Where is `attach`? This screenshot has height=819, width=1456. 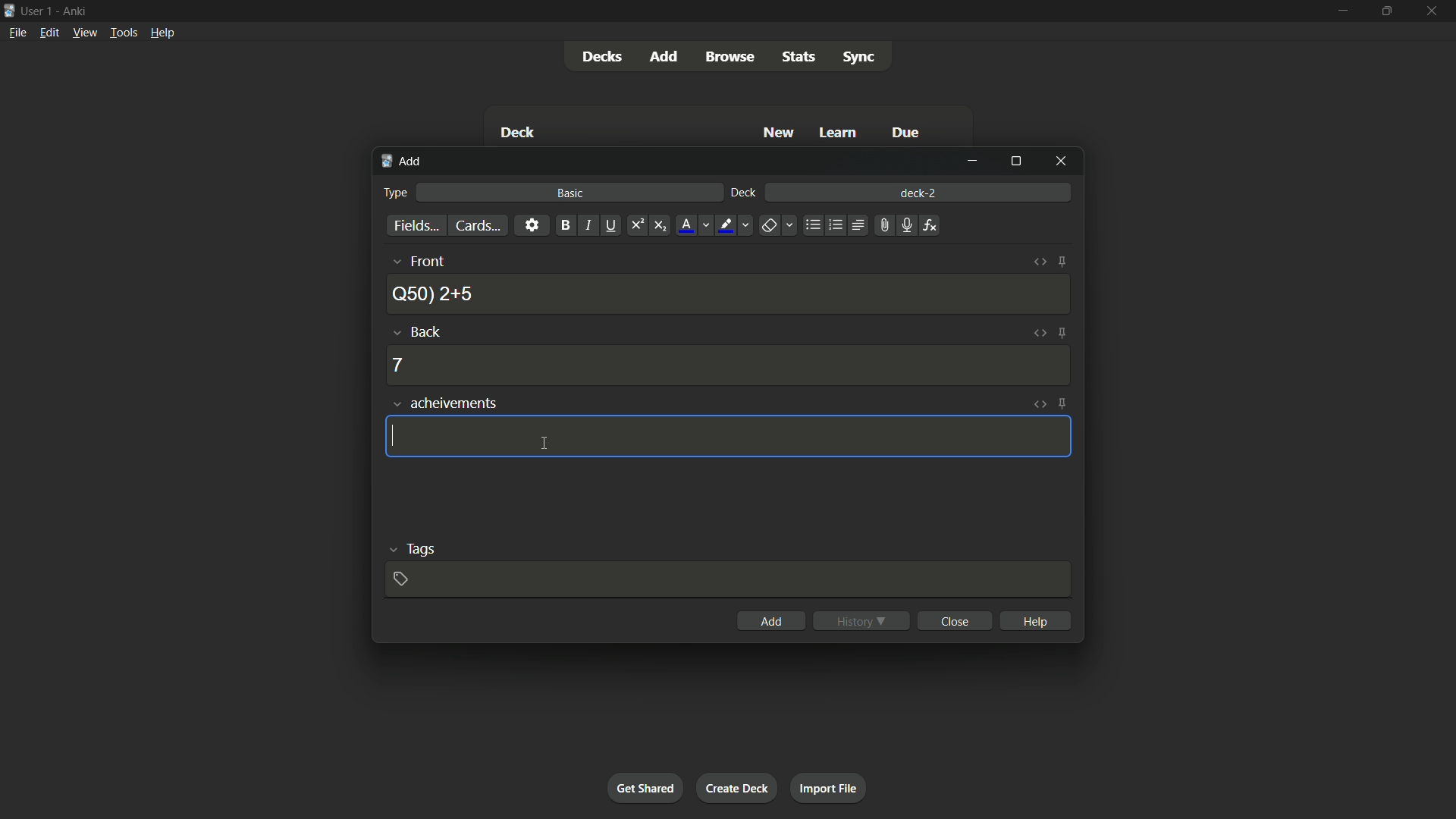
attach is located at coordinates (883, 226).